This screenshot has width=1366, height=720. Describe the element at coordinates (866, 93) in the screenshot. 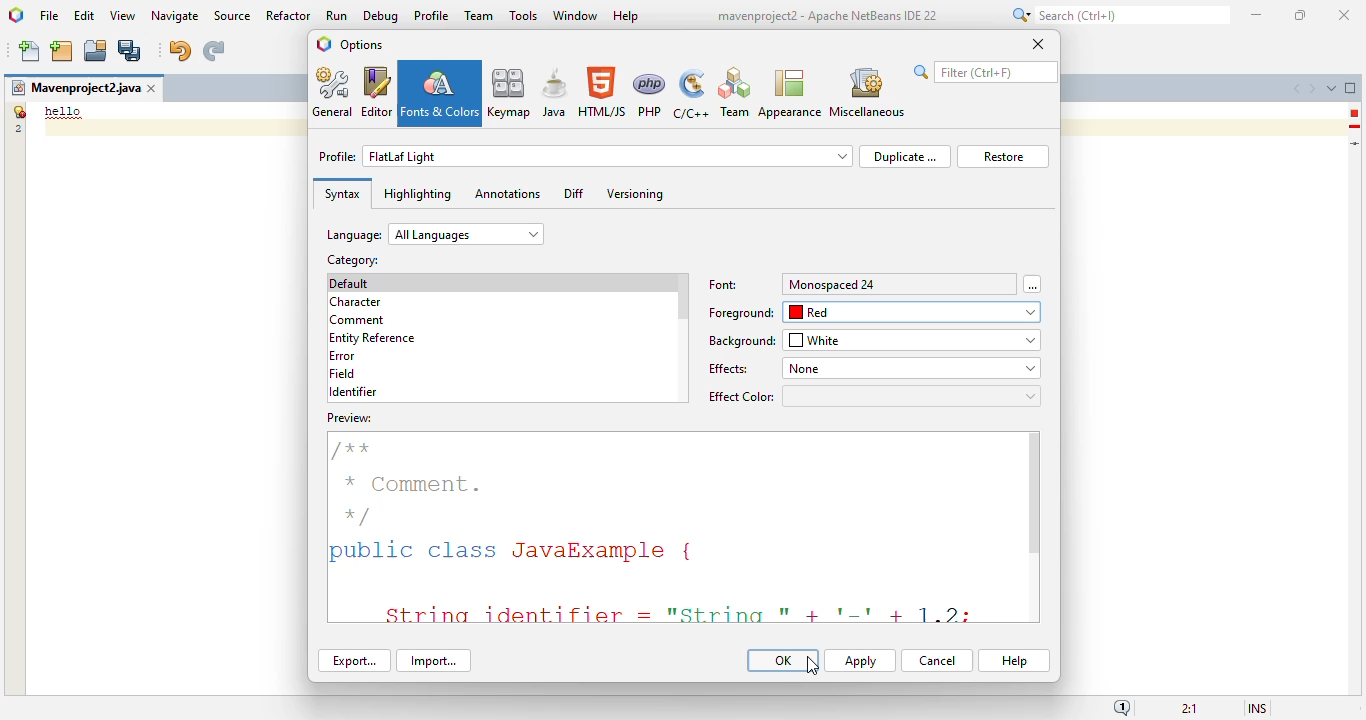

I see `miscellaneous` at that location.